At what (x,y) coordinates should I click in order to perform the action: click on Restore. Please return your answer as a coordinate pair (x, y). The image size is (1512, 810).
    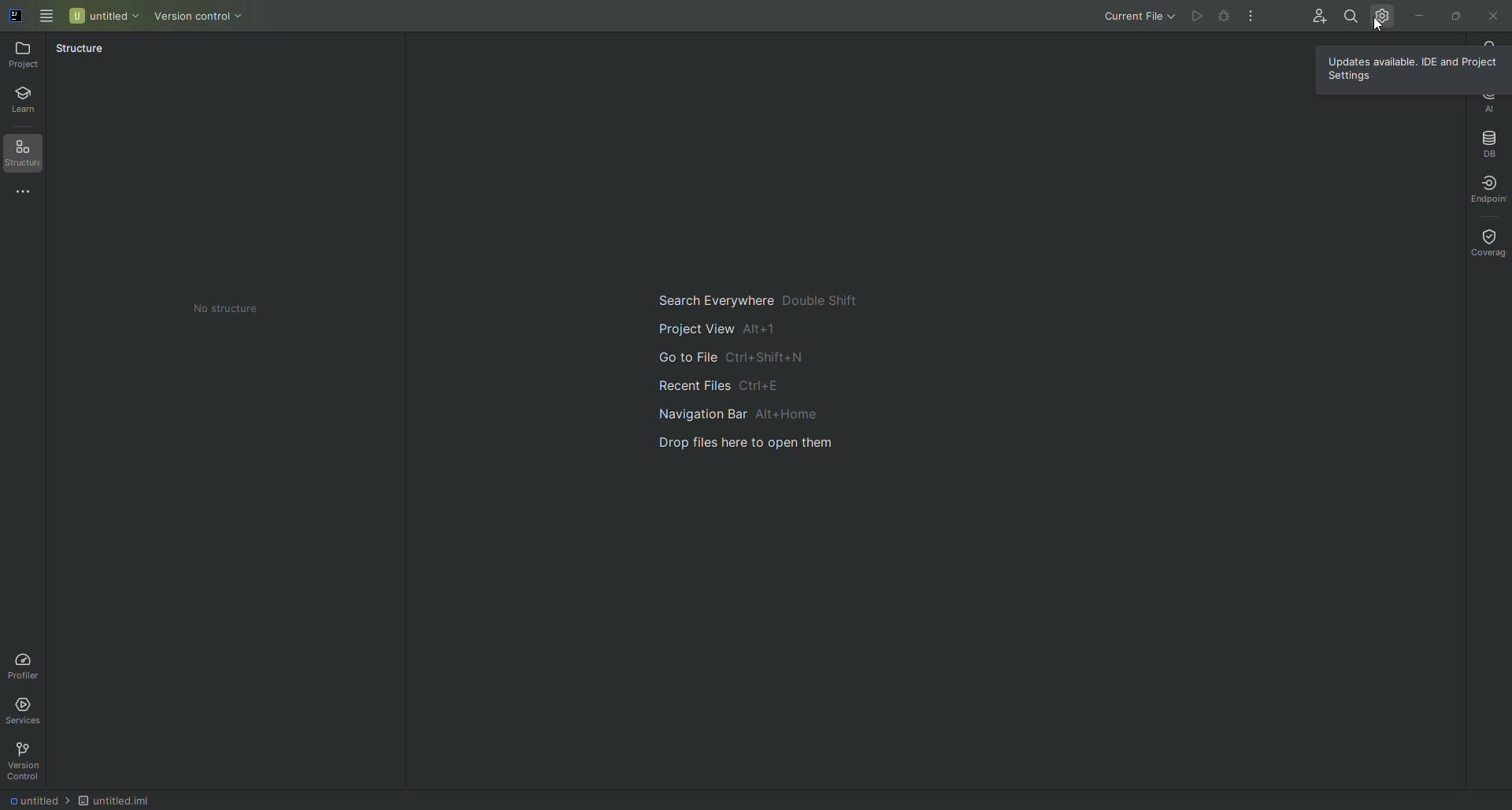
    Looking at the image, I should click on (1454, 14).